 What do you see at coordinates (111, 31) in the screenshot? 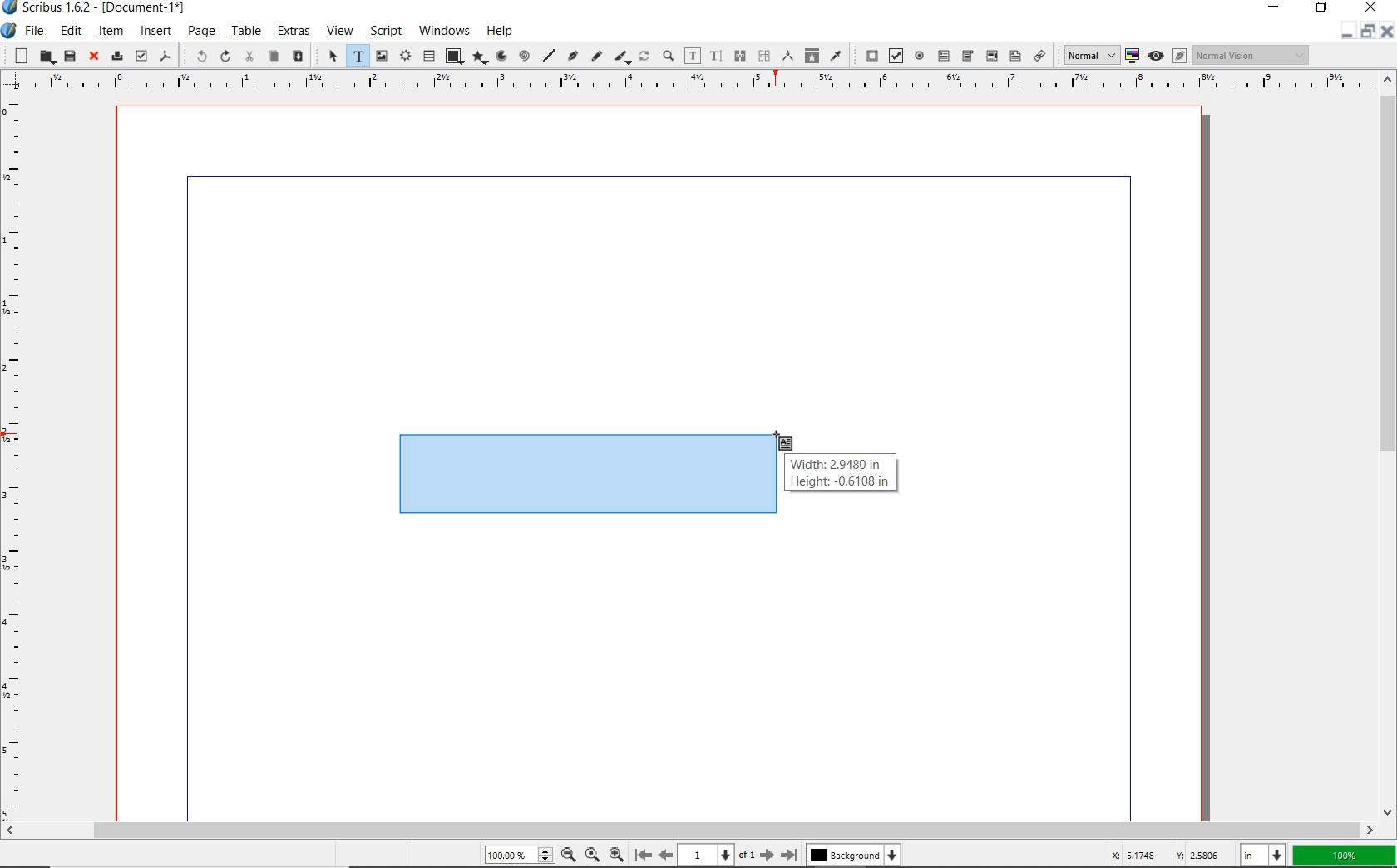
I see `item` at bounding box center [111, 31].